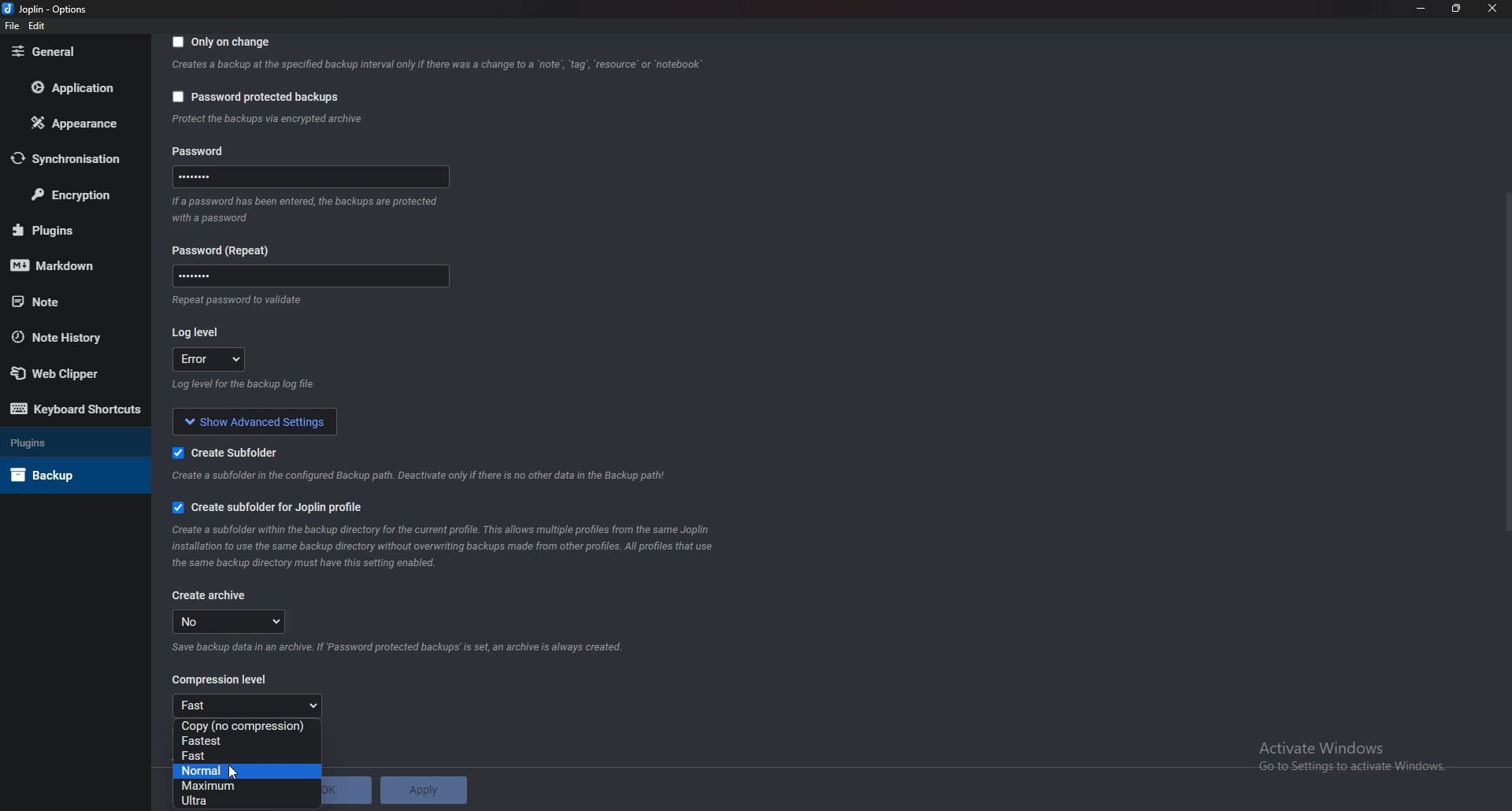 The image size is (1512, 811). Describe the element at coordinates (67, 444) in the screenshot. I see `Plugins` at that location.